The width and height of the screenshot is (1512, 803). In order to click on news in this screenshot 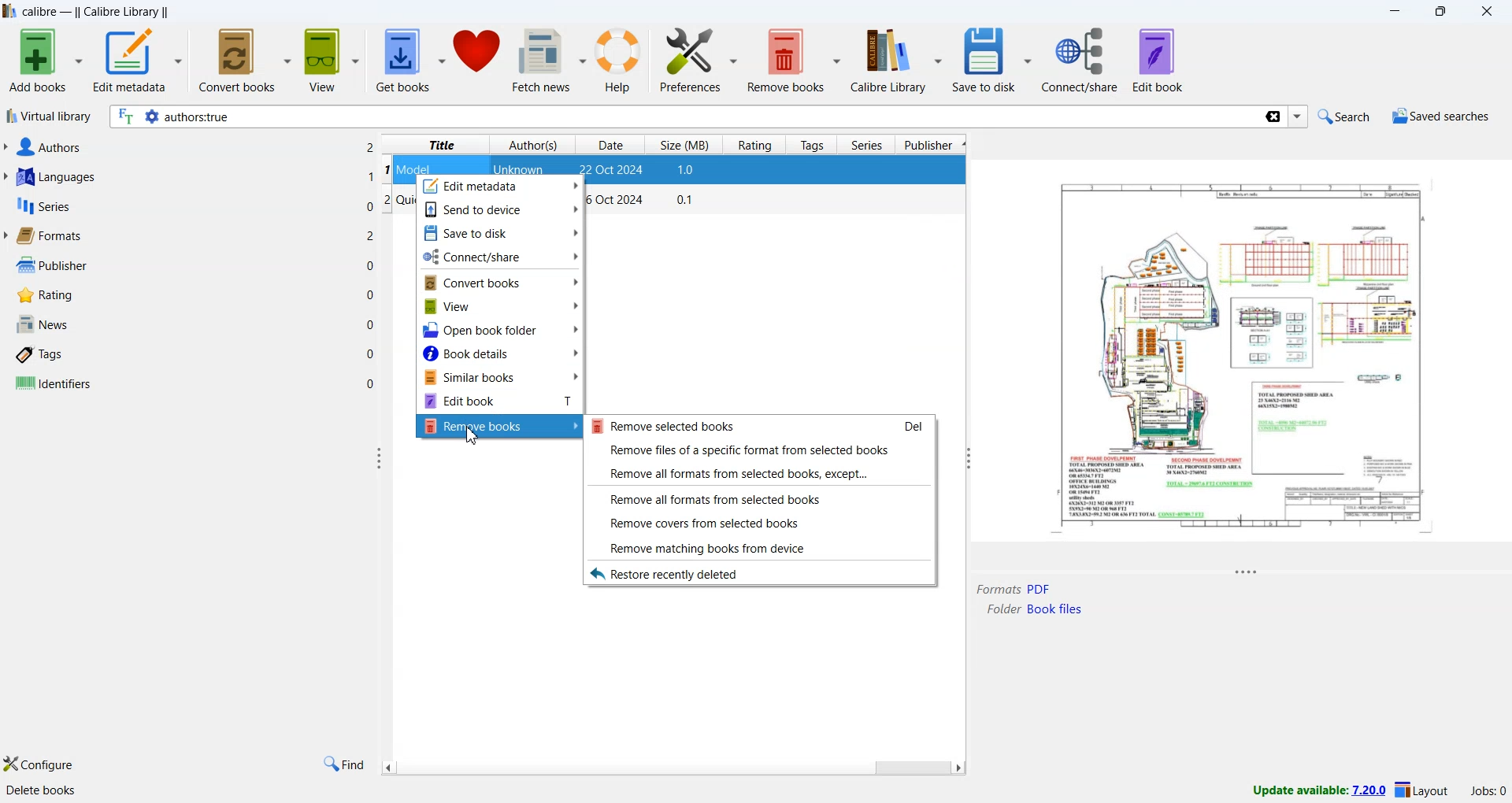, I will do `click(41, 325)`.